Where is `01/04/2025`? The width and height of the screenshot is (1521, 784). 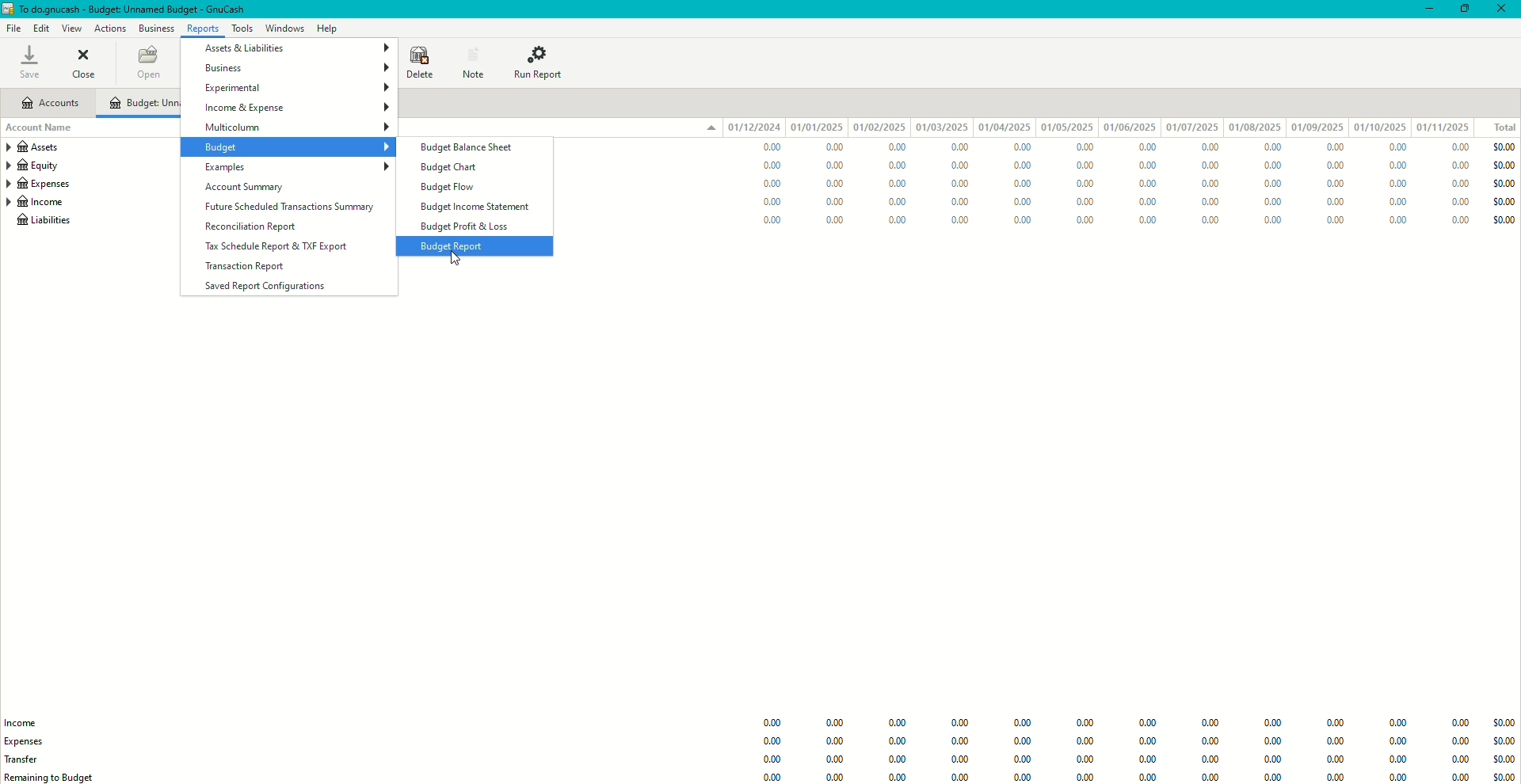
01/04/2025 is located at coordinates (1004, 127).